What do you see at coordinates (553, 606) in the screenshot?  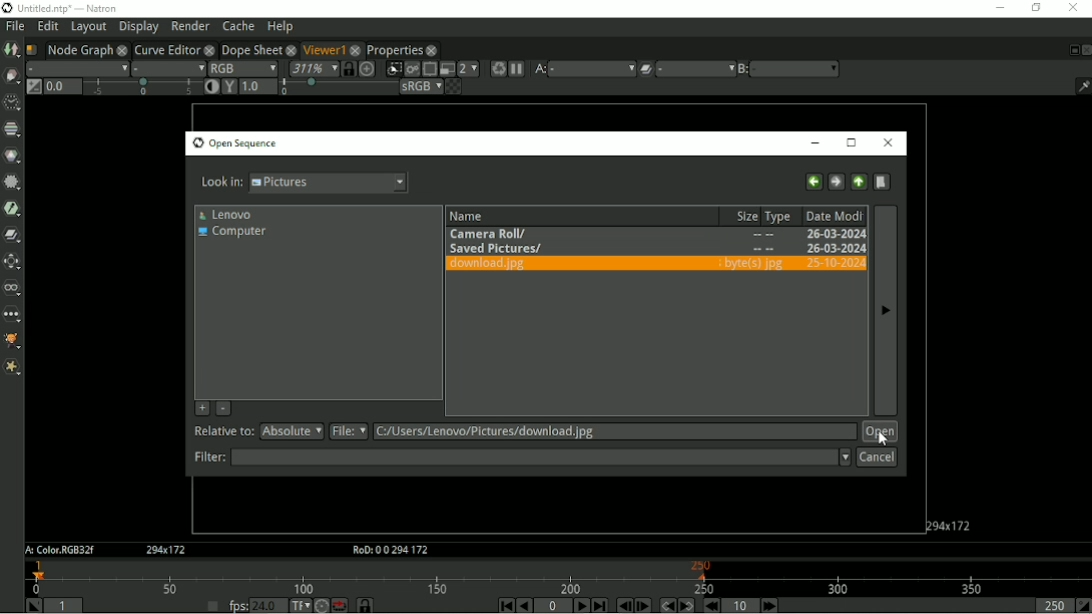 I see `Current frame` at bounding box center [553, 606].